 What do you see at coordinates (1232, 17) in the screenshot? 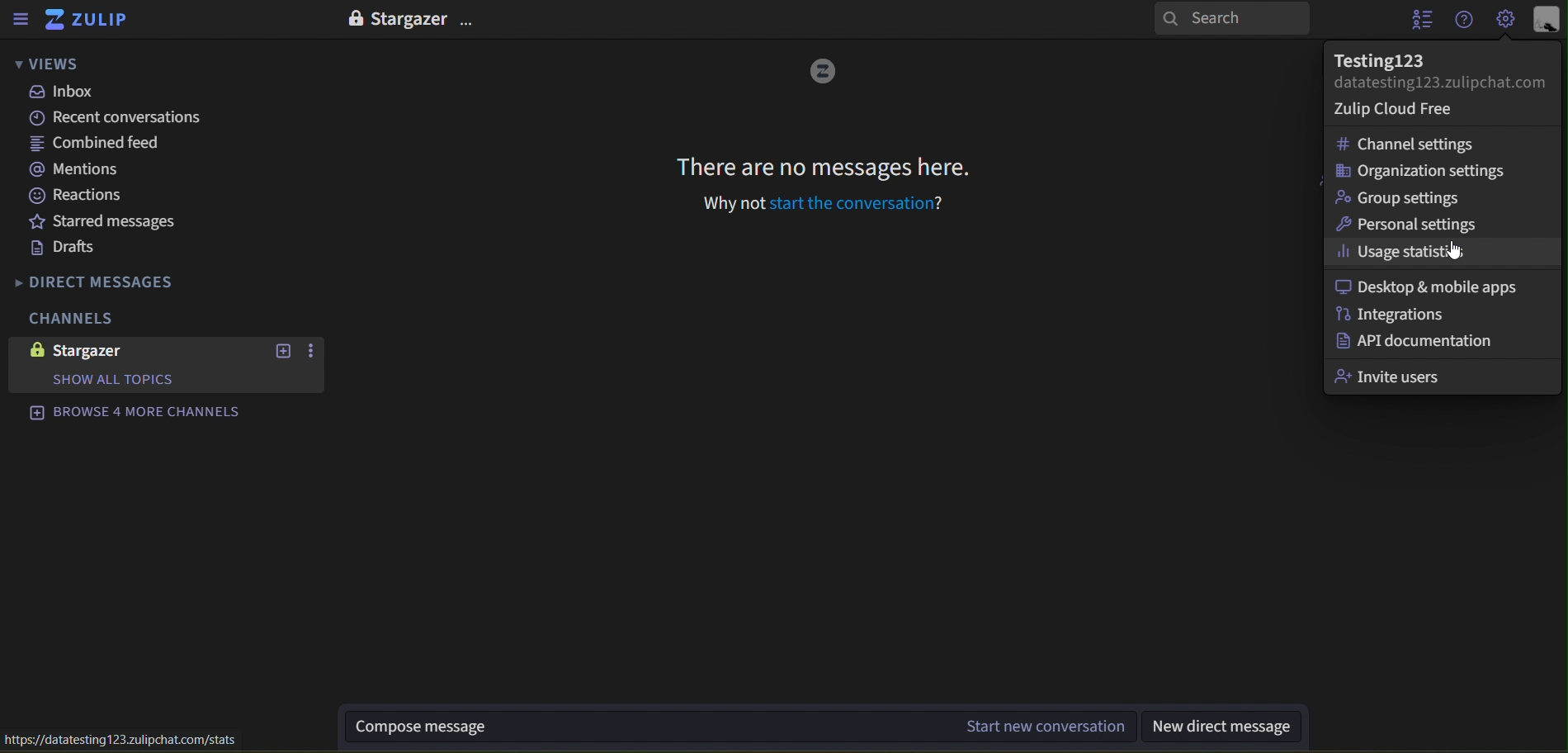
I see `search` at bounding box center [1232, 17].